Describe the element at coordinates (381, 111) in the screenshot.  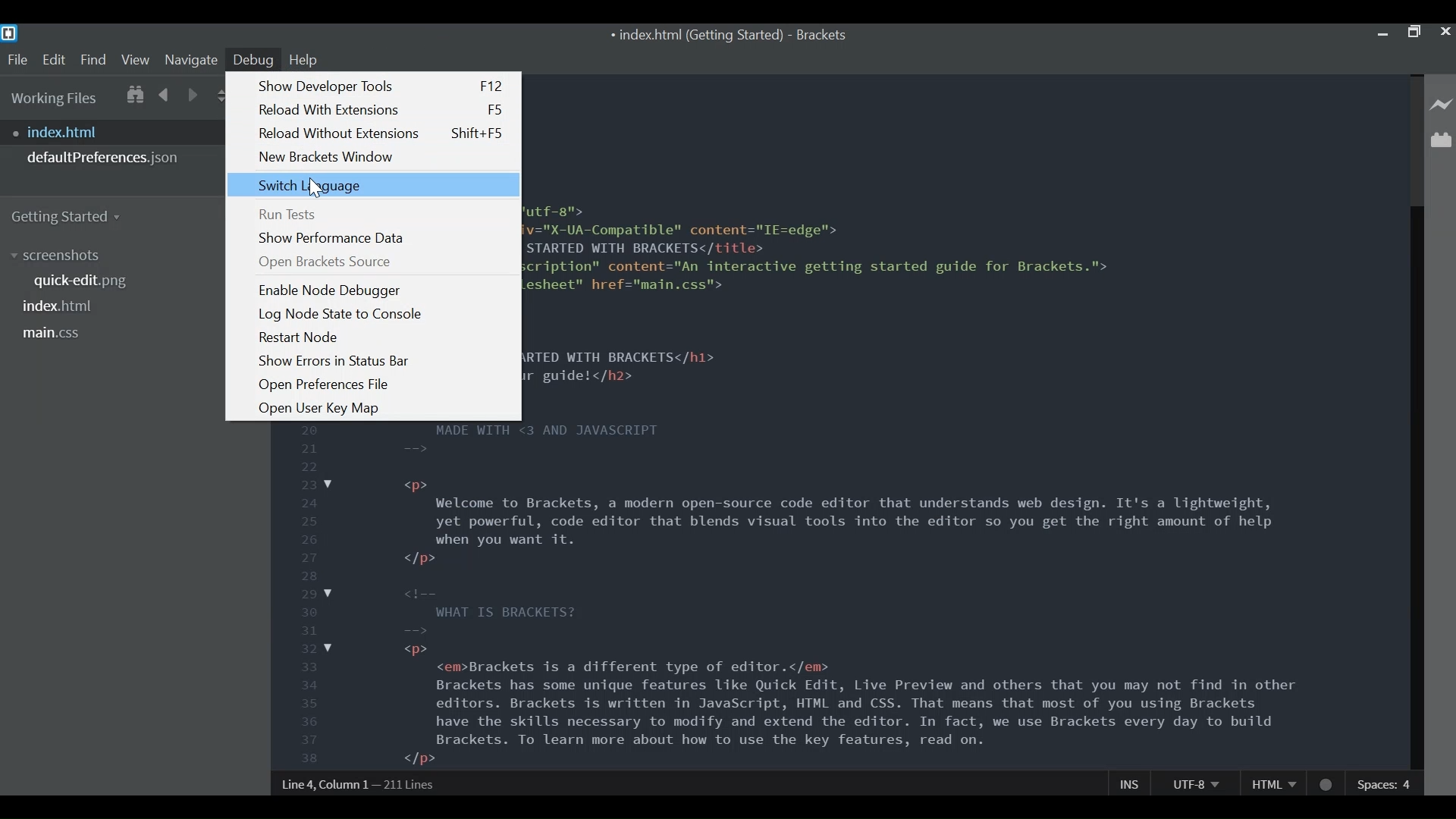
I see `Reload with Extensions` at that location.